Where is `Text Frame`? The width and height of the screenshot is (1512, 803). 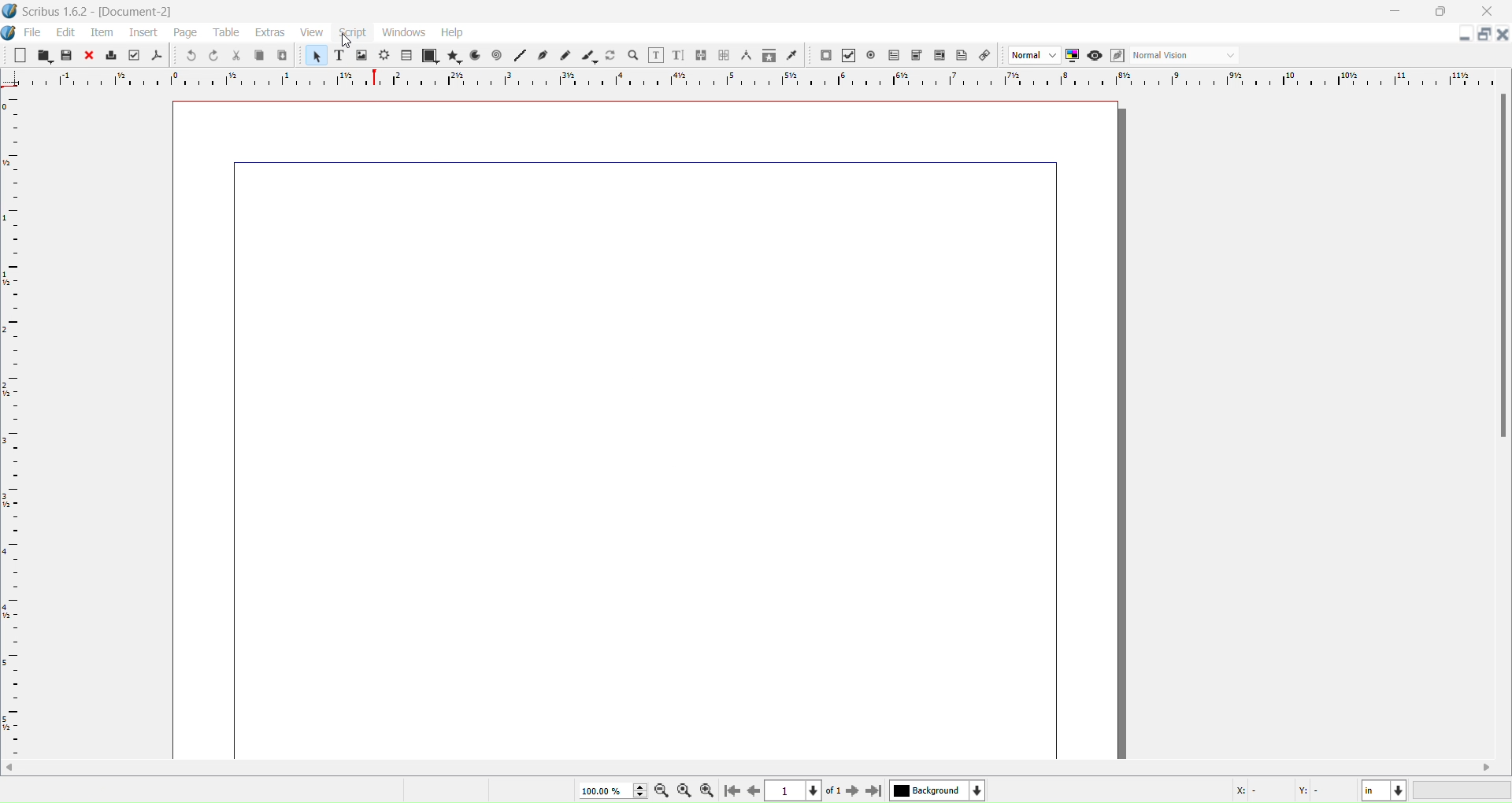 Text Frame is located at coordinates (337, 56).